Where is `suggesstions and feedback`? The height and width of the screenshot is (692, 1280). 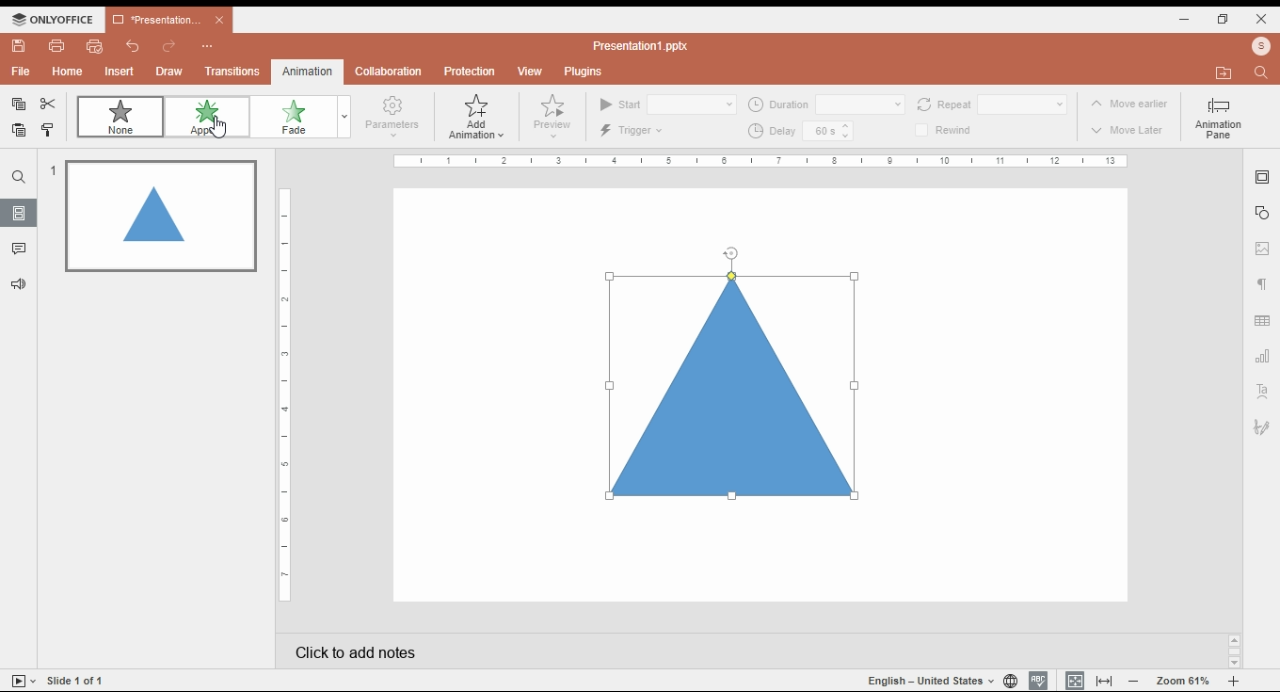
suggesstions and feedback is located at coordinates (20, 285).